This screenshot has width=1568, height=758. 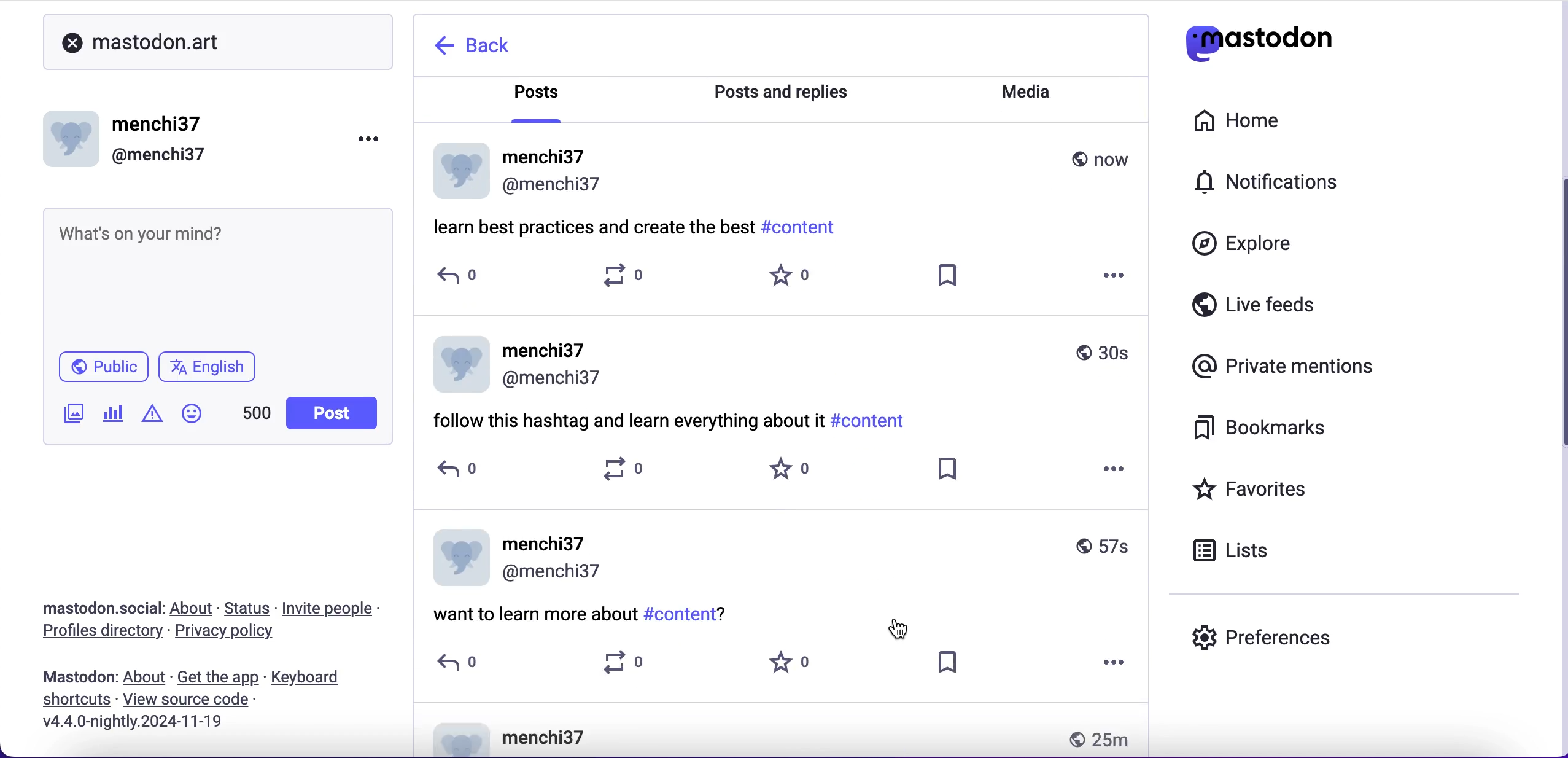 What do you see at coordinates (689, 614) in the screenshot?
I see `#content` at bounding box center [689, 614].